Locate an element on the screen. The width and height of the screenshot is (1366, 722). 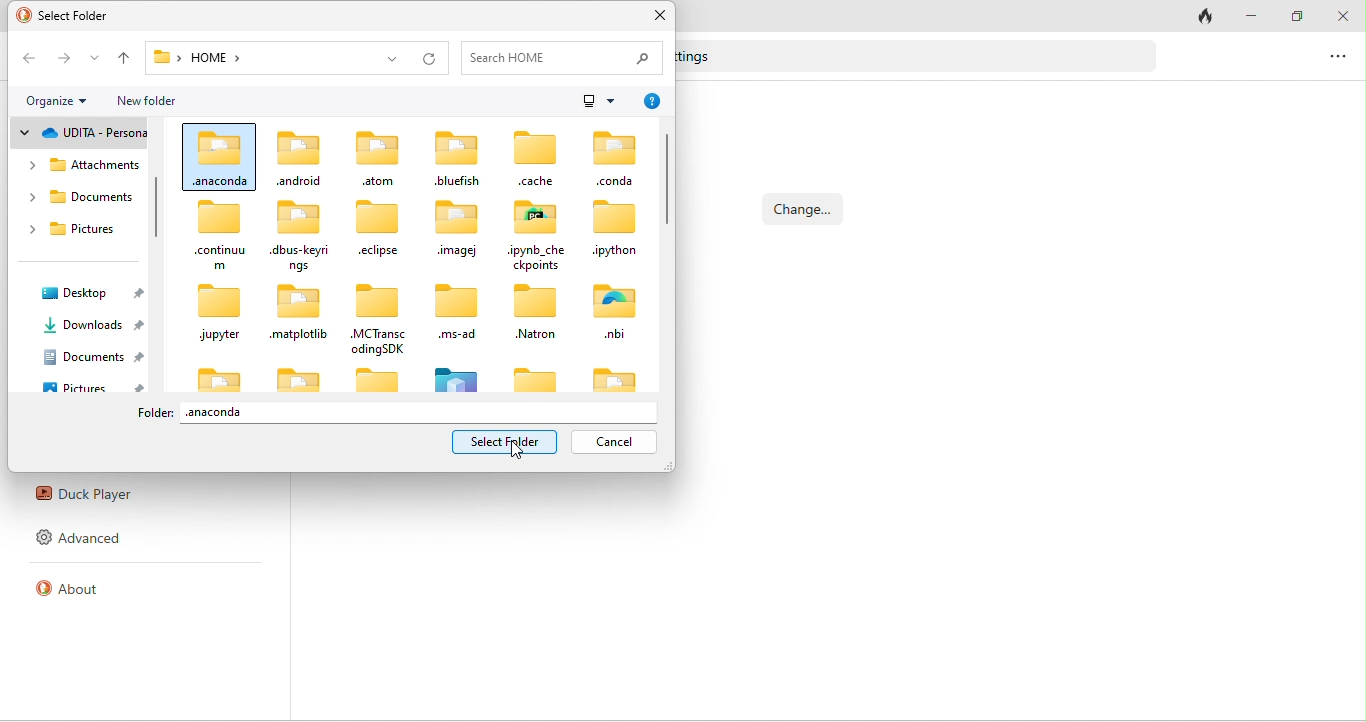
about is located at coordinates (82, 595).